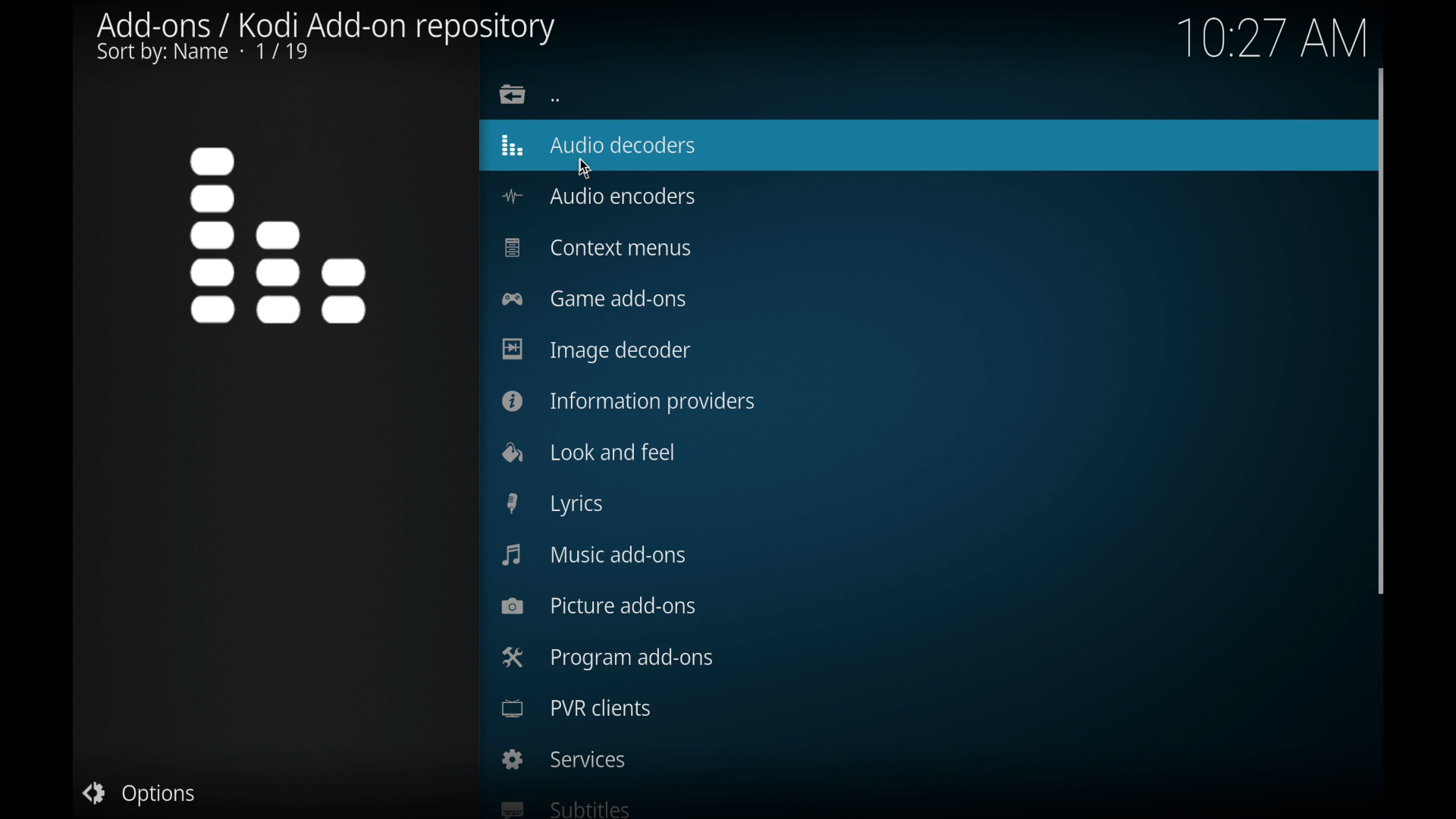 Image resolution: width=1456 pixels, height=819 pixels. What do you see at coordinates (596, 248) in the screenshot?
I see `context menus` at bounding box center [596, 248].